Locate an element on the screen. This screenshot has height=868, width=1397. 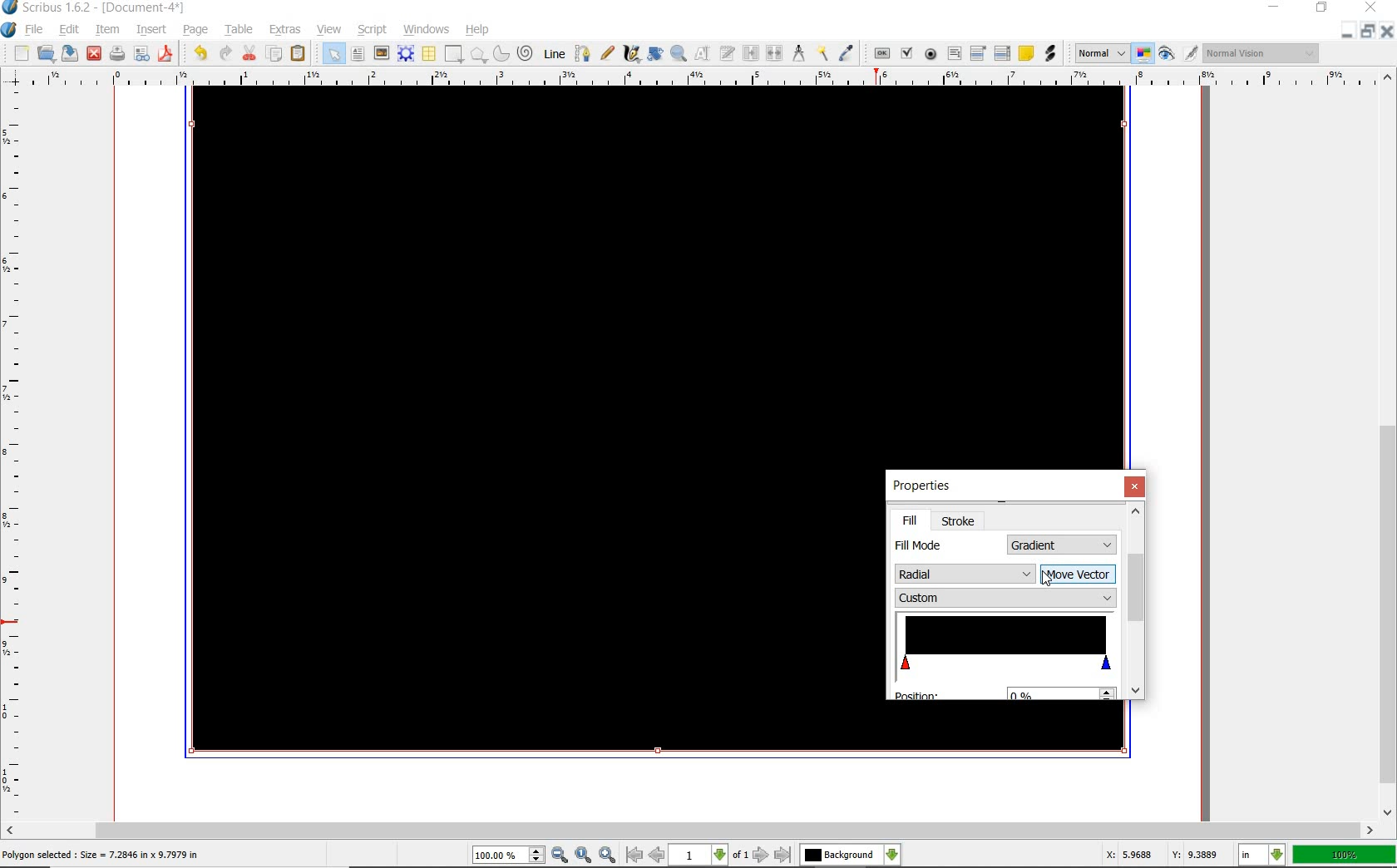
Normal is located at coordinates (1101, 53).